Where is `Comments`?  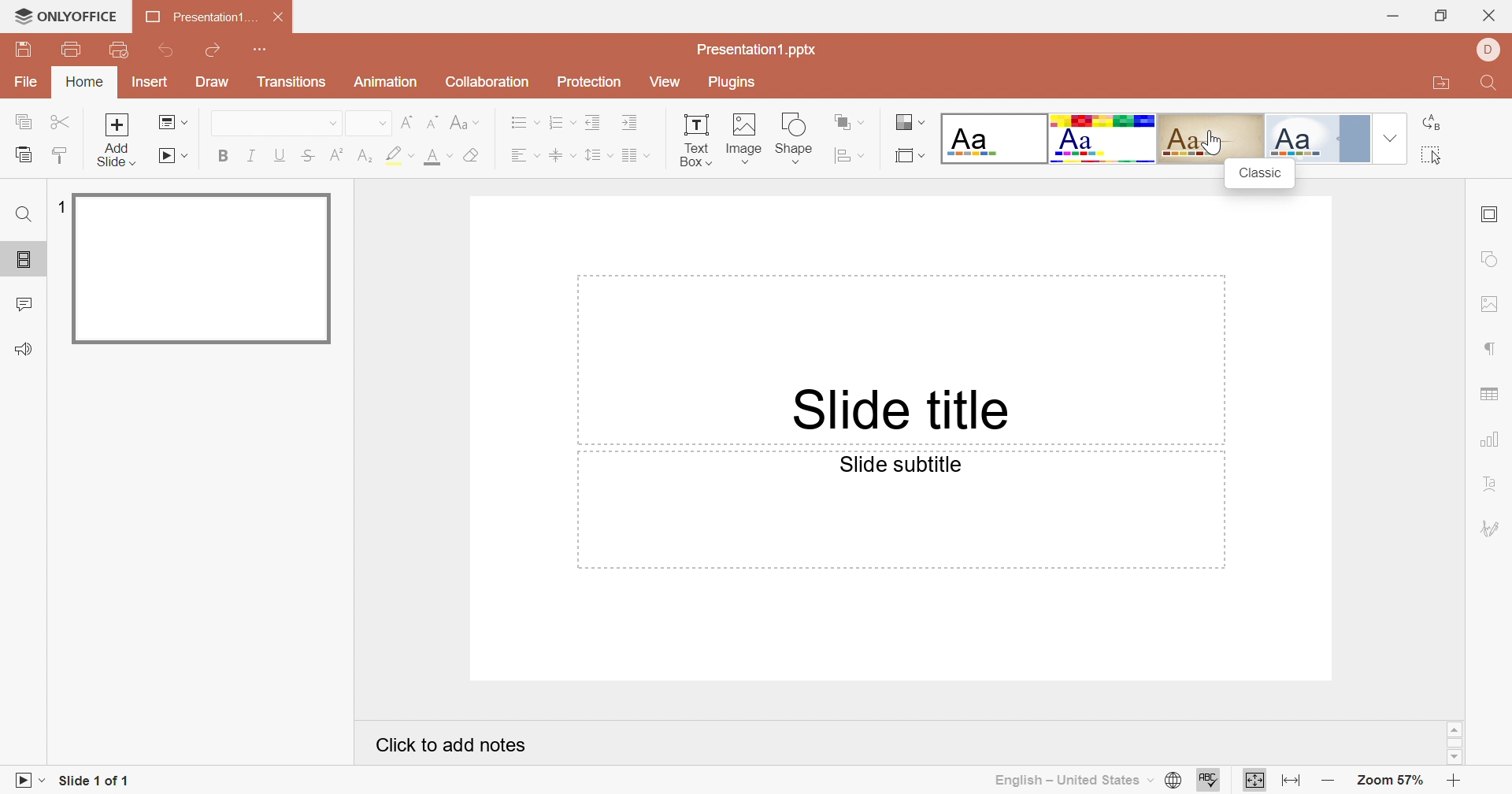
Comments is located at coordinates (26, 302).